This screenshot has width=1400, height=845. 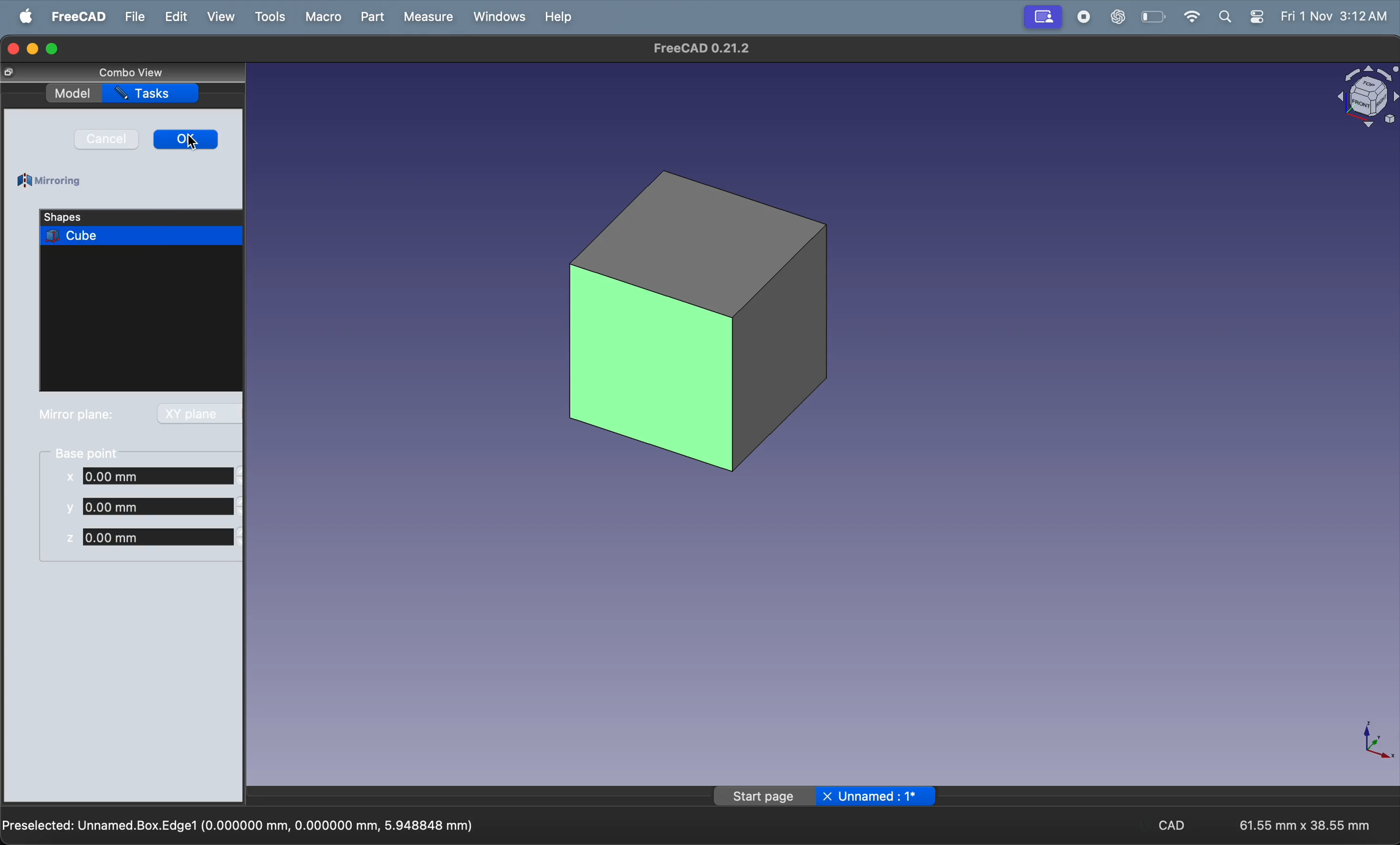 What do you see at coordinates (428, 18) in the screenshot?
I see `measure` at bounding box center [428, 18].